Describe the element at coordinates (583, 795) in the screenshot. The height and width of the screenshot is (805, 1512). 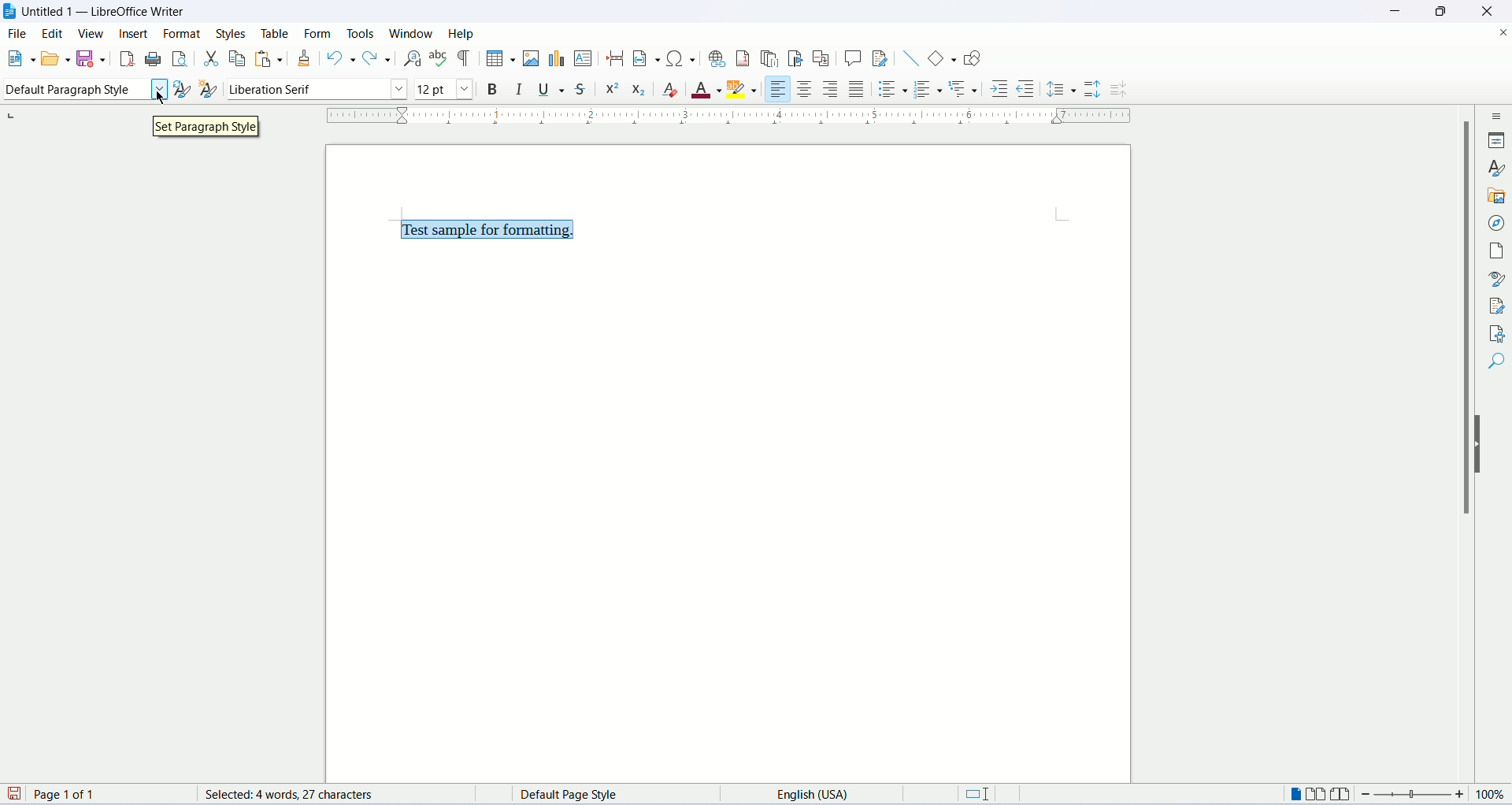
I see `default page style` at that location.